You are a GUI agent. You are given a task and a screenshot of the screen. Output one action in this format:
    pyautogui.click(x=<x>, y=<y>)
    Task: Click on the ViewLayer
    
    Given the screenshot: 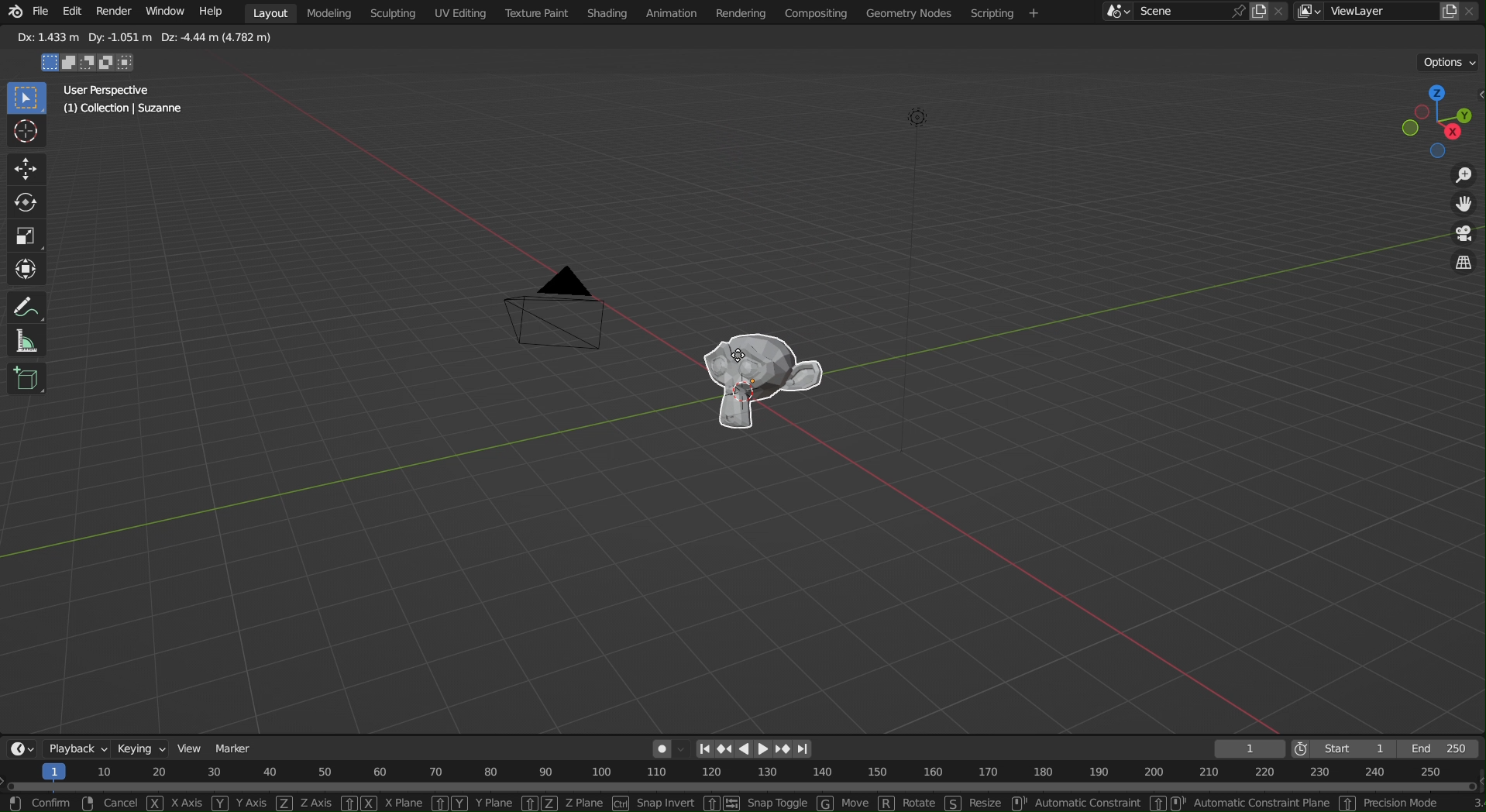 What is the action you would take?
    pyautogui.click(x=1378, y=12)
    